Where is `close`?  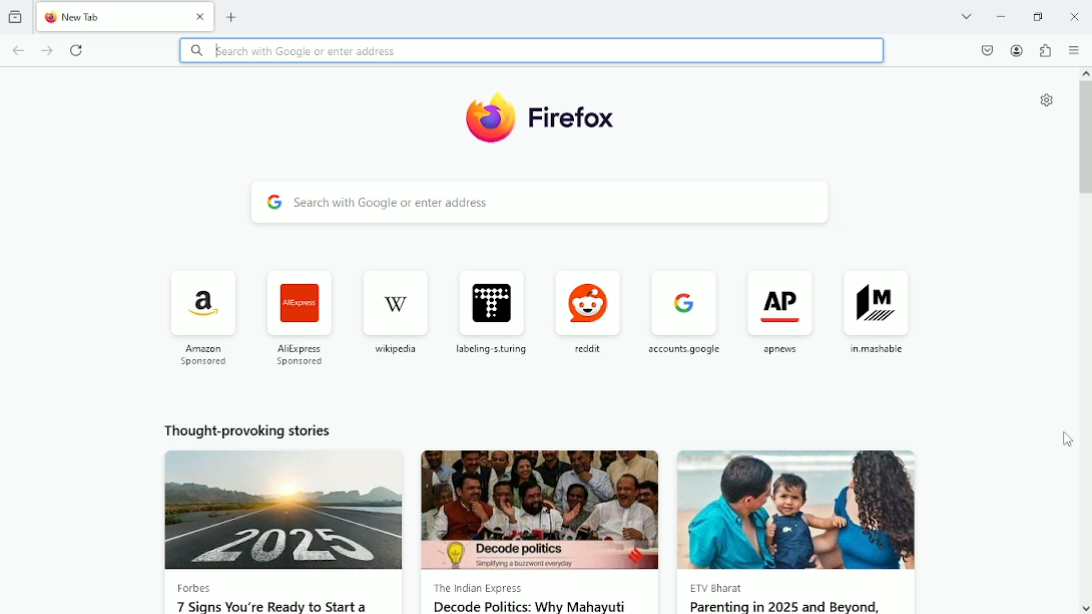
close is located at coordinates (201, 15).